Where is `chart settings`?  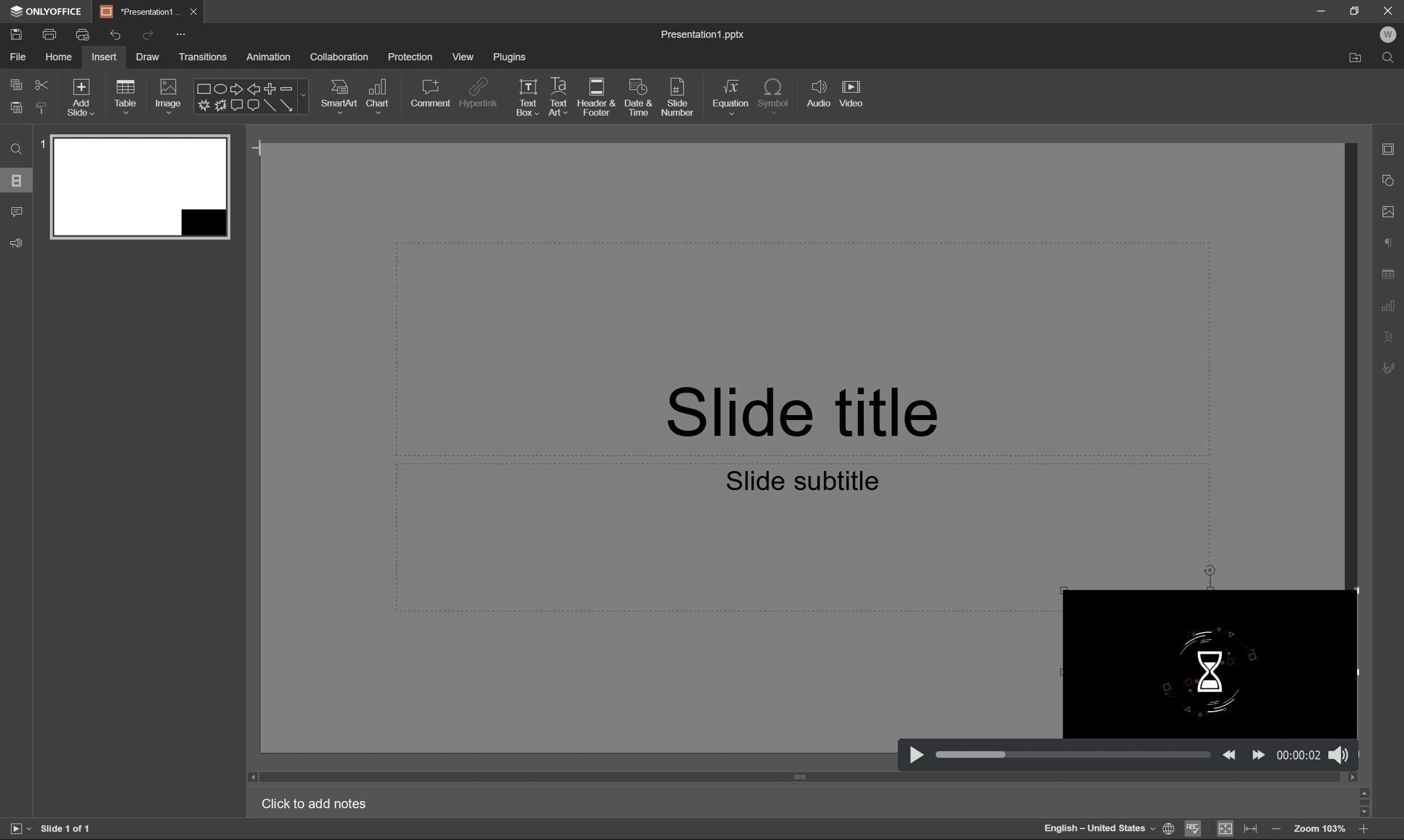 chart settings is located at coordinates (1394, 304).